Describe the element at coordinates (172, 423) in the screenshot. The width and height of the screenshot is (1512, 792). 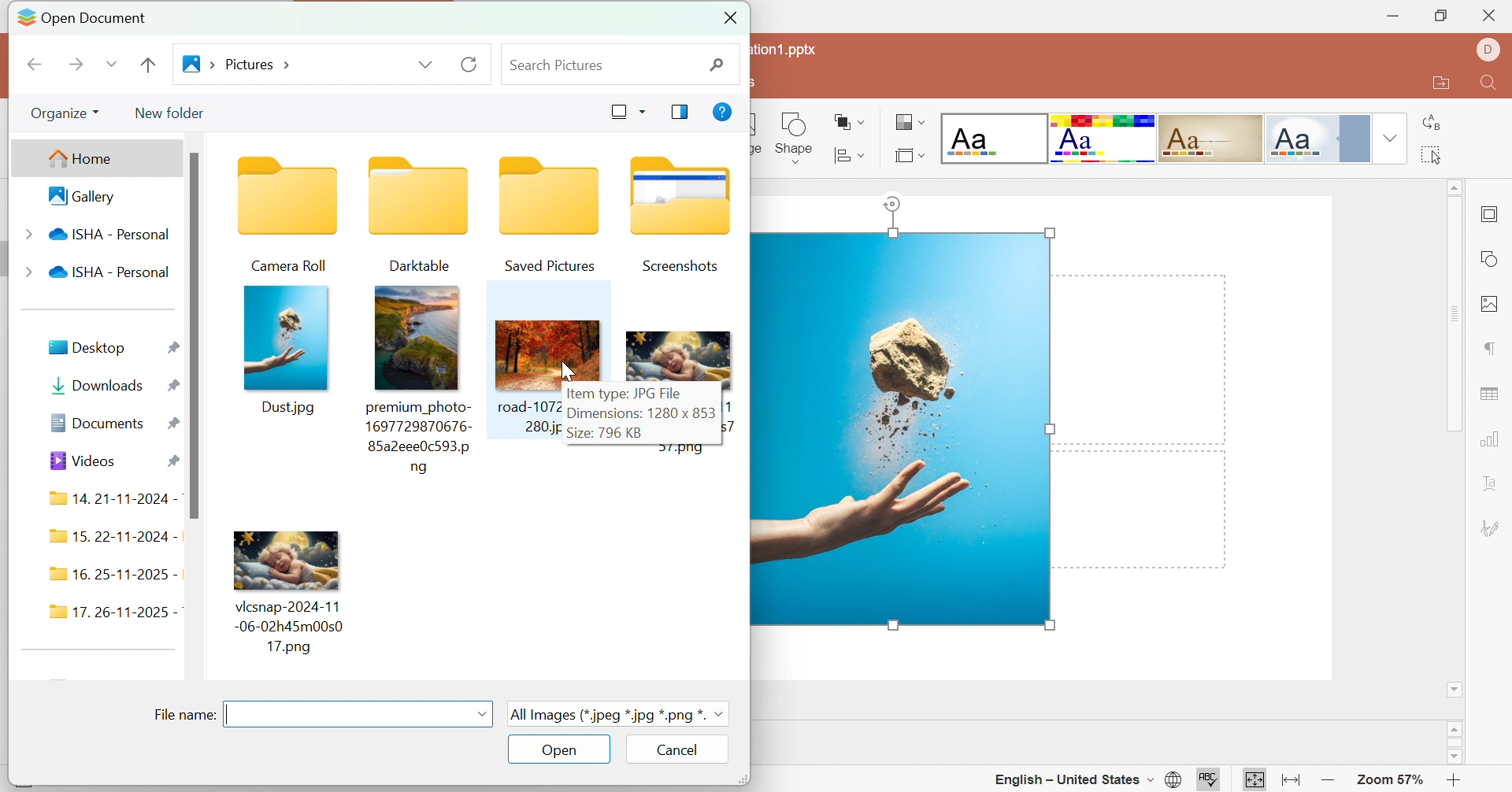
I see `Pinned` at that location.